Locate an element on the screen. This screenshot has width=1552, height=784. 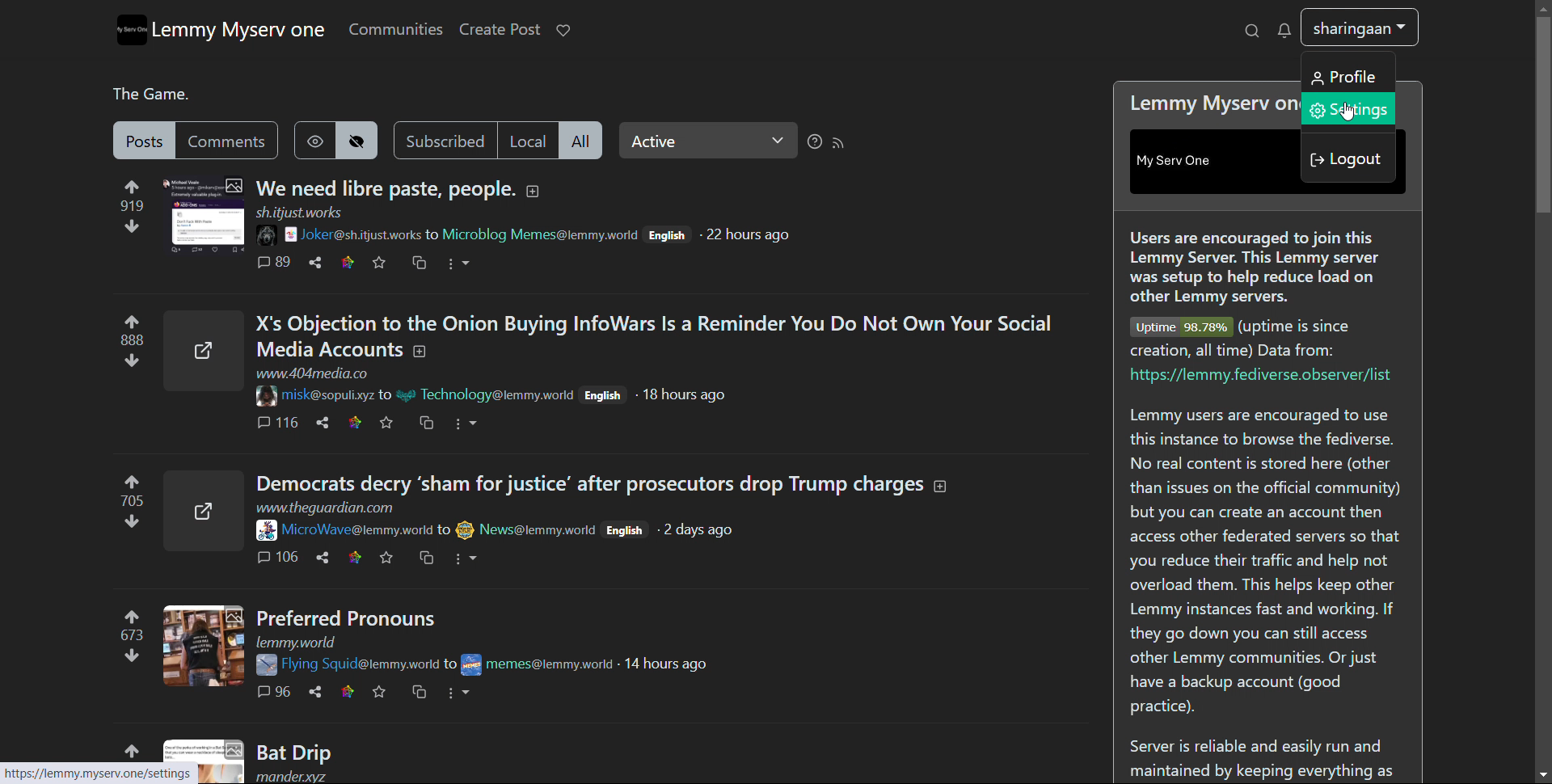
posts is located at coordinates (144, 141).